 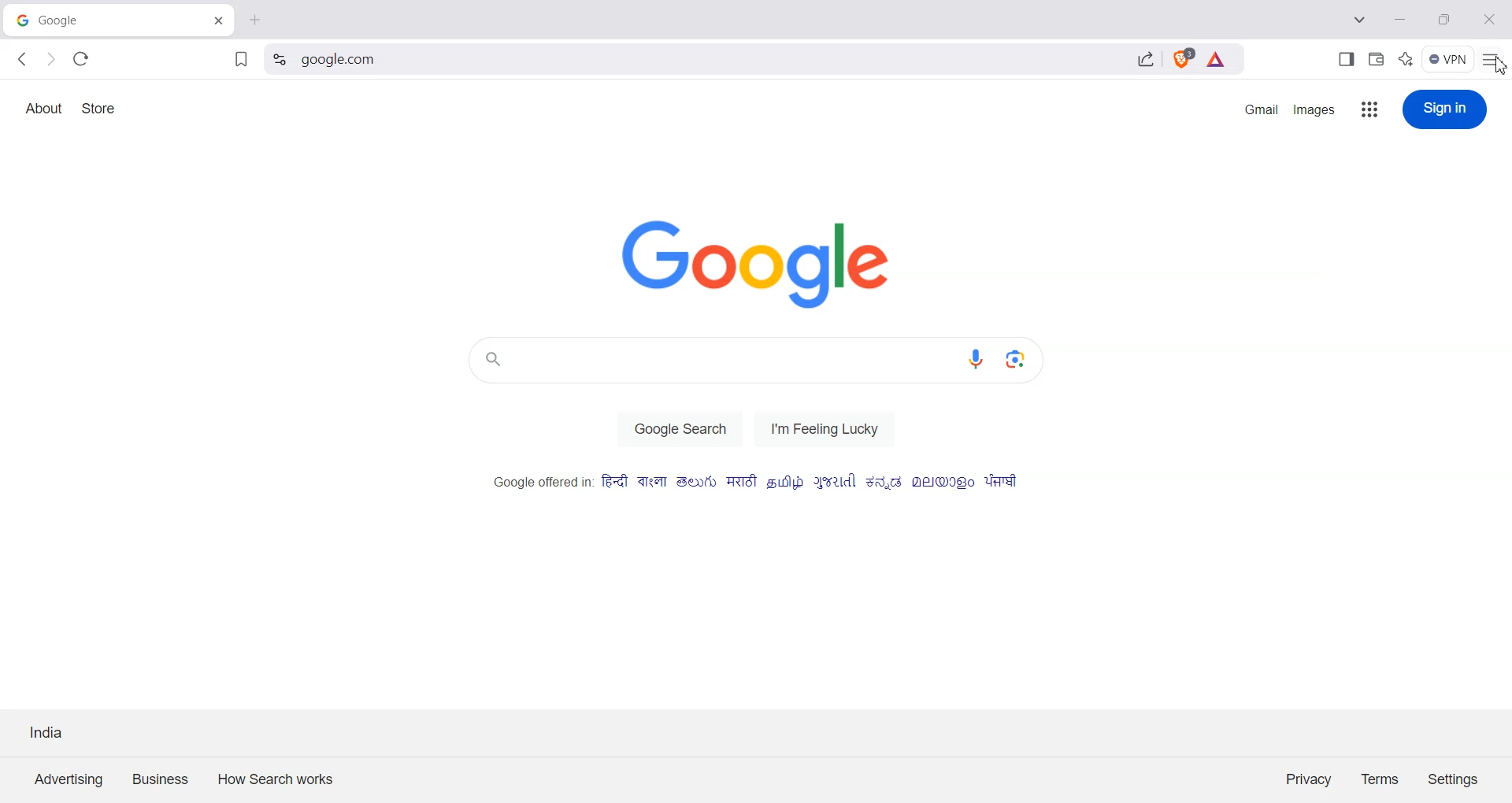 I want to click on Logo, so click(x=770, y=263).